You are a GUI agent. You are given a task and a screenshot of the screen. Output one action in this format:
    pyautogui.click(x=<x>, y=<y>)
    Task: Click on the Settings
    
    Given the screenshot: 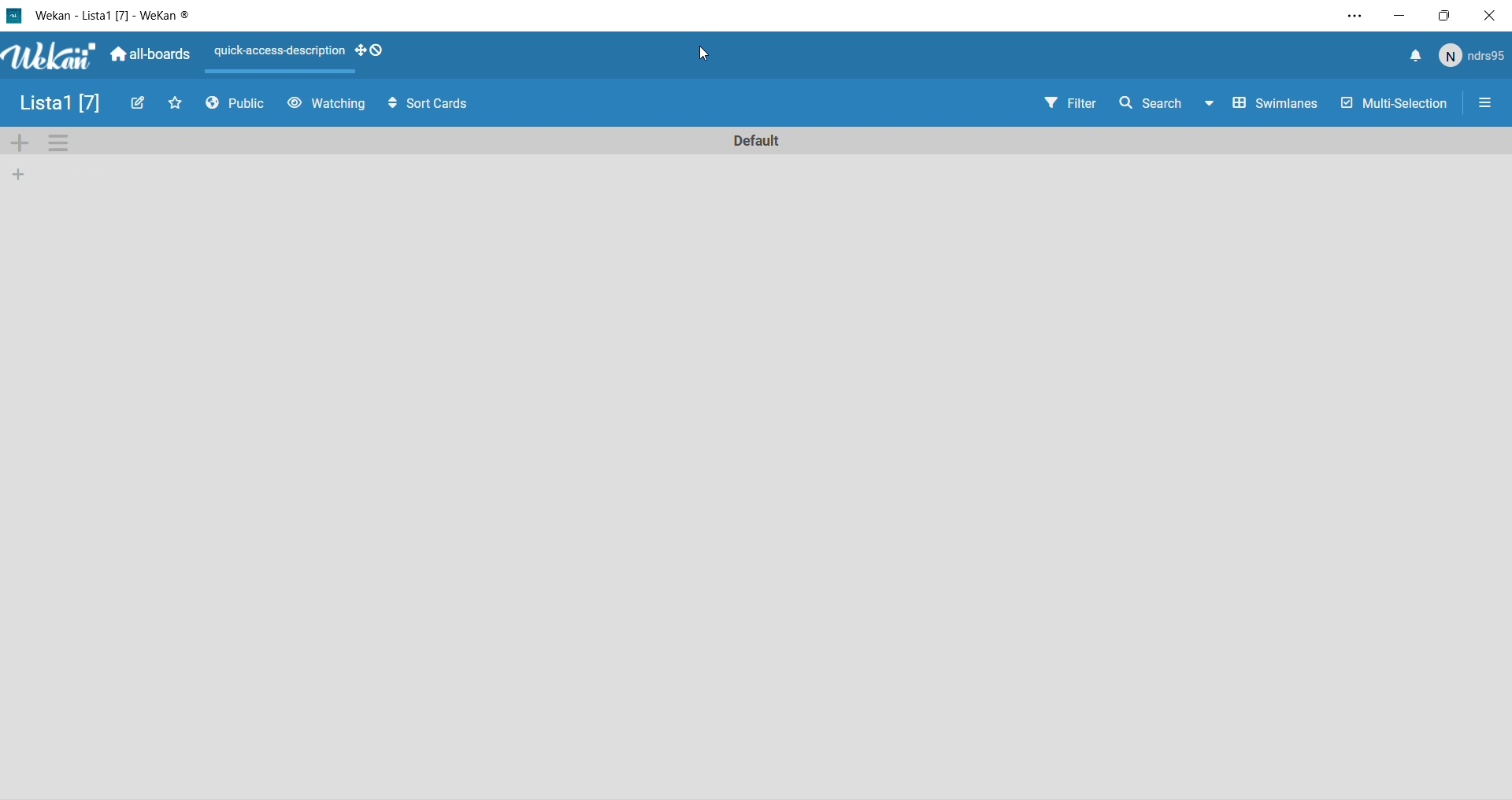 What is the action you would take?
    pyautogui.click(x=64, y=143)
    